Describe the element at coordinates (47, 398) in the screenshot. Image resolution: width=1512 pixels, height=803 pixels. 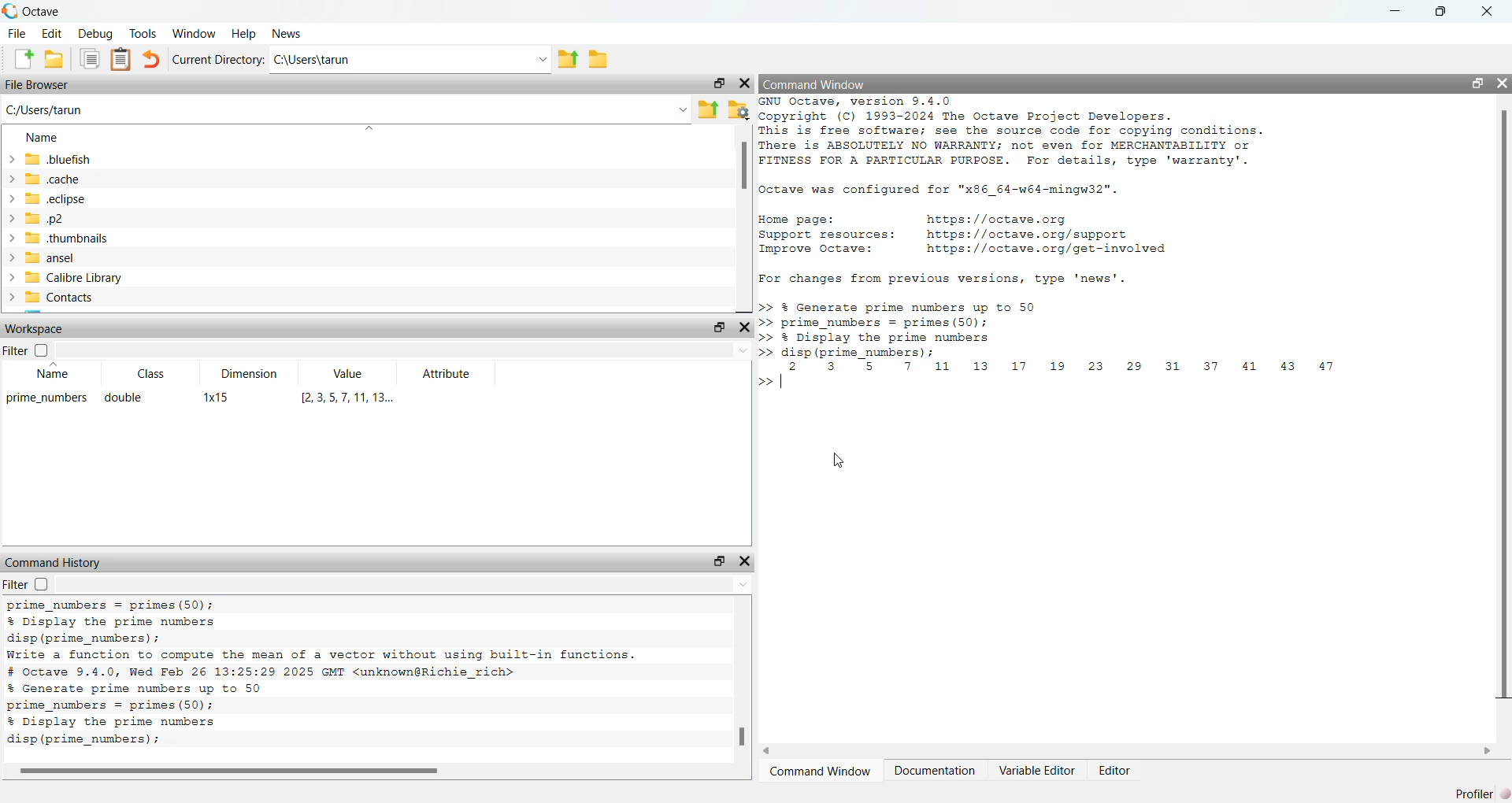
I see `prime_numbers` at that location.